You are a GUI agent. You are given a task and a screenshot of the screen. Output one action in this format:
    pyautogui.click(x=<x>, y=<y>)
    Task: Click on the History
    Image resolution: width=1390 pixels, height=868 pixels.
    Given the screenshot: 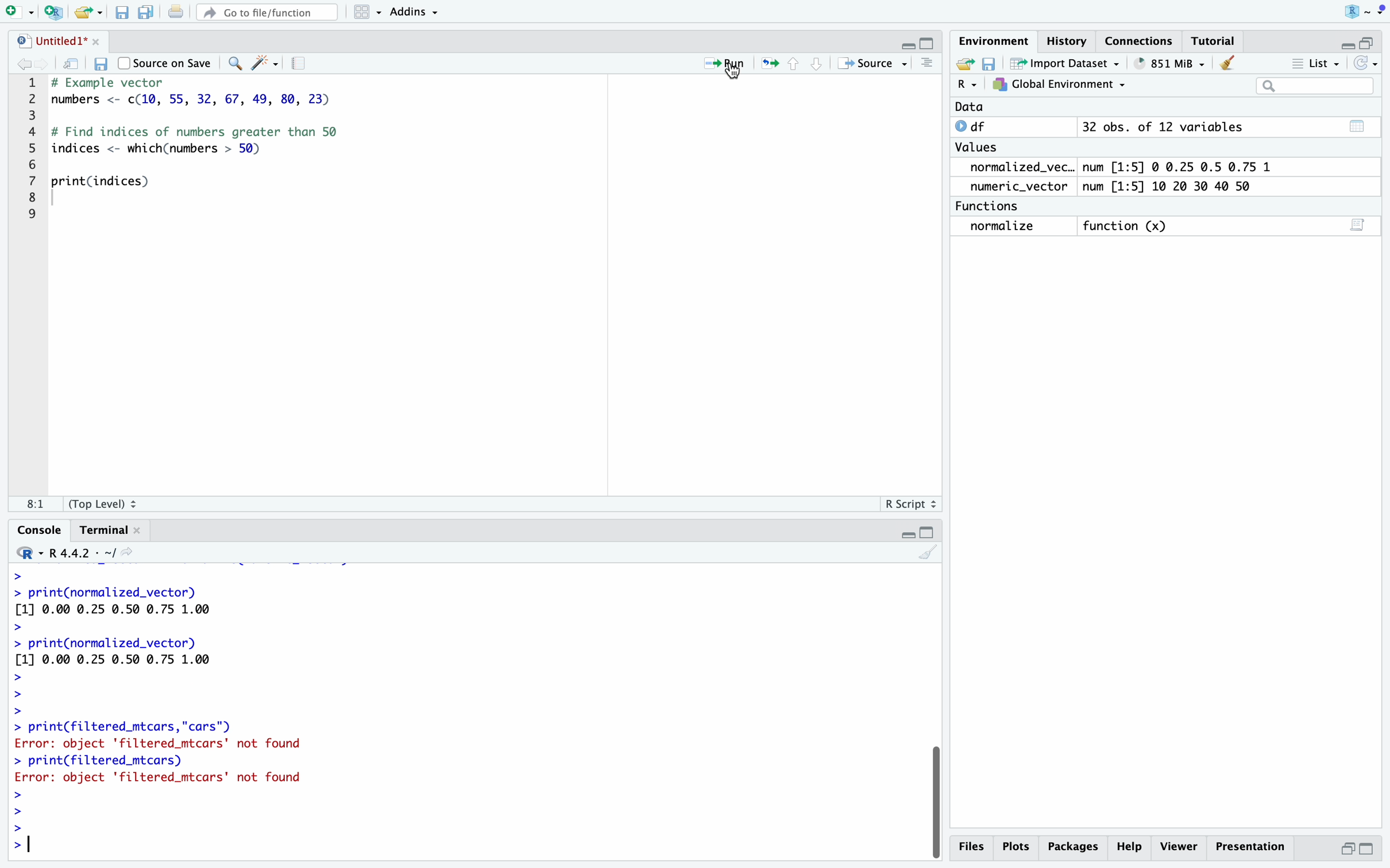 What is the action you would take?
    pyautogui.click(x=1068, y=40)
    